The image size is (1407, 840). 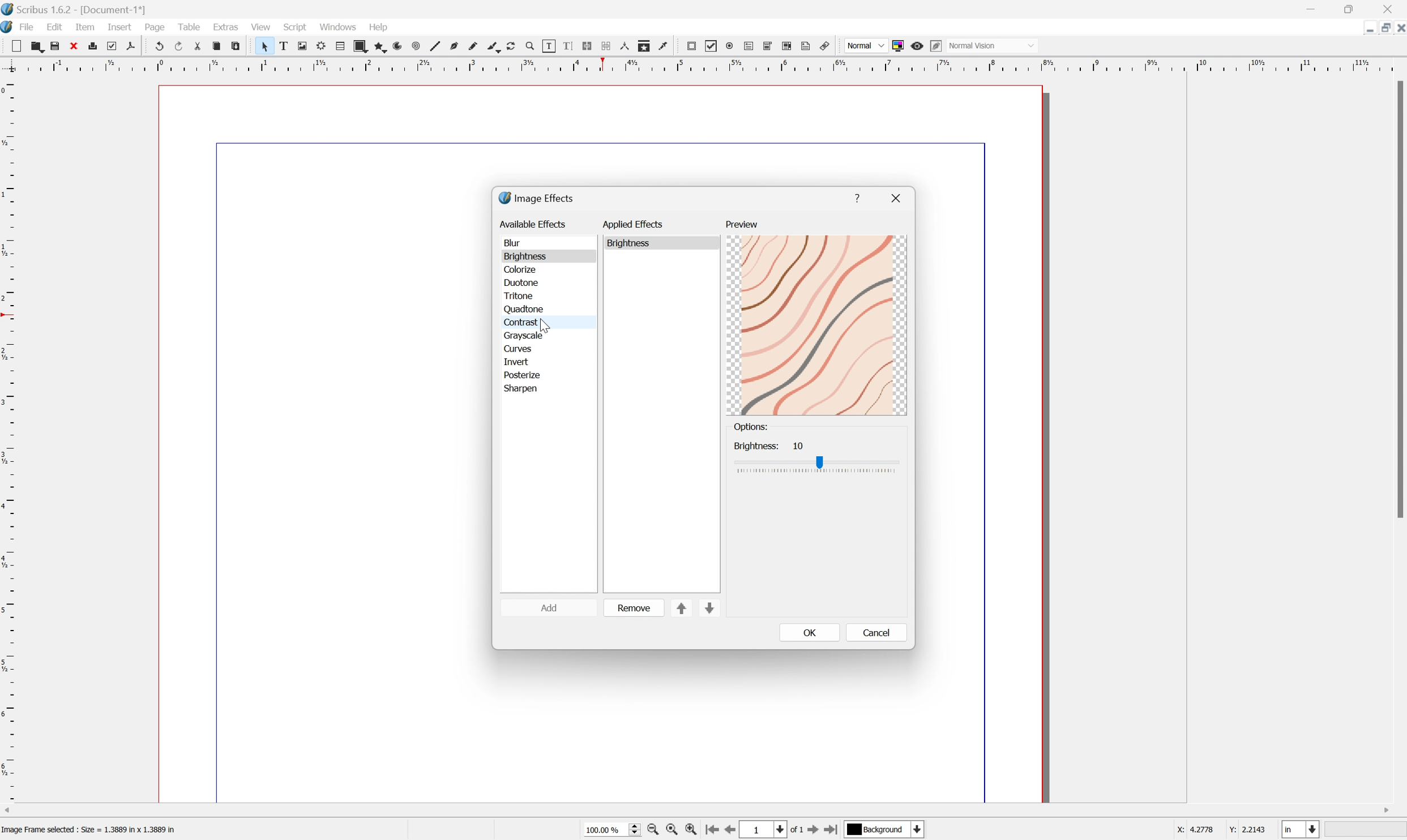 What do you see at coordinates (296, 28) in the screenshot?
I see `Script` at bounding box center [296, 28].